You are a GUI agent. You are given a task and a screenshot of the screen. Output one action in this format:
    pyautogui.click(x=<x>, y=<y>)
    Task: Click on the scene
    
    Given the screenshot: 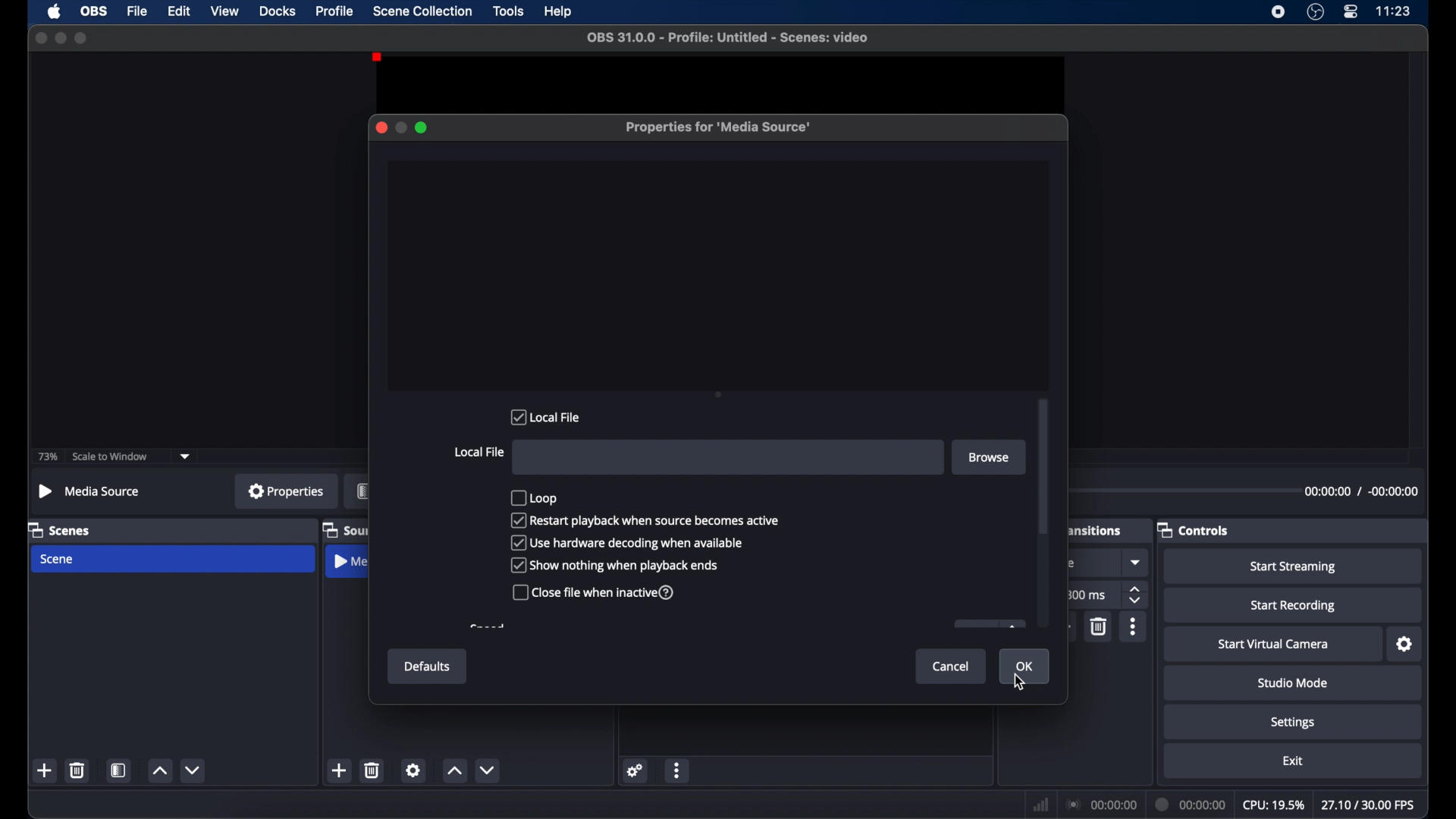 What is the action you would take?
    pyautogui.click(x=56, y=560)
    